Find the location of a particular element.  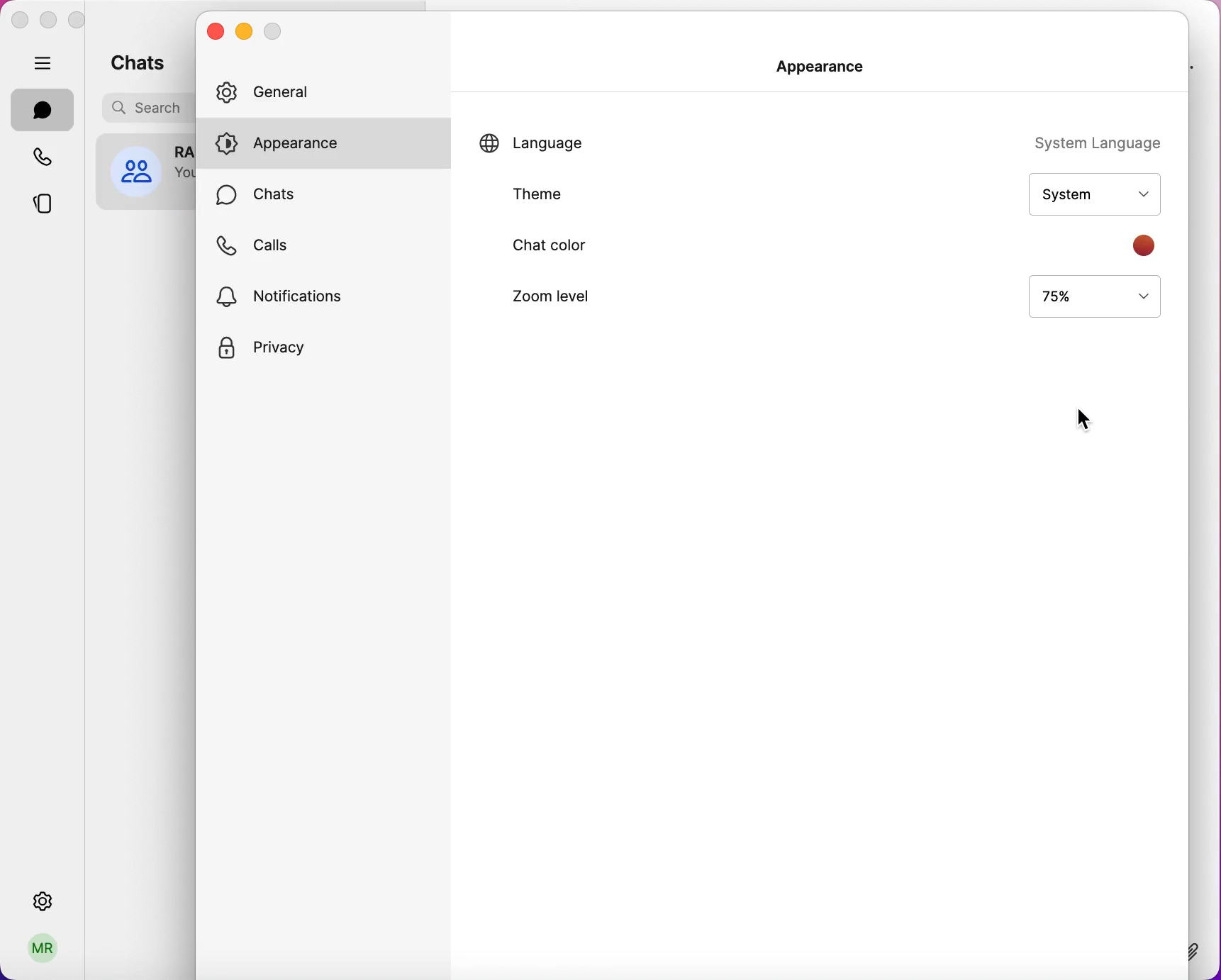

zoom level is located at coordinates (586, 296).